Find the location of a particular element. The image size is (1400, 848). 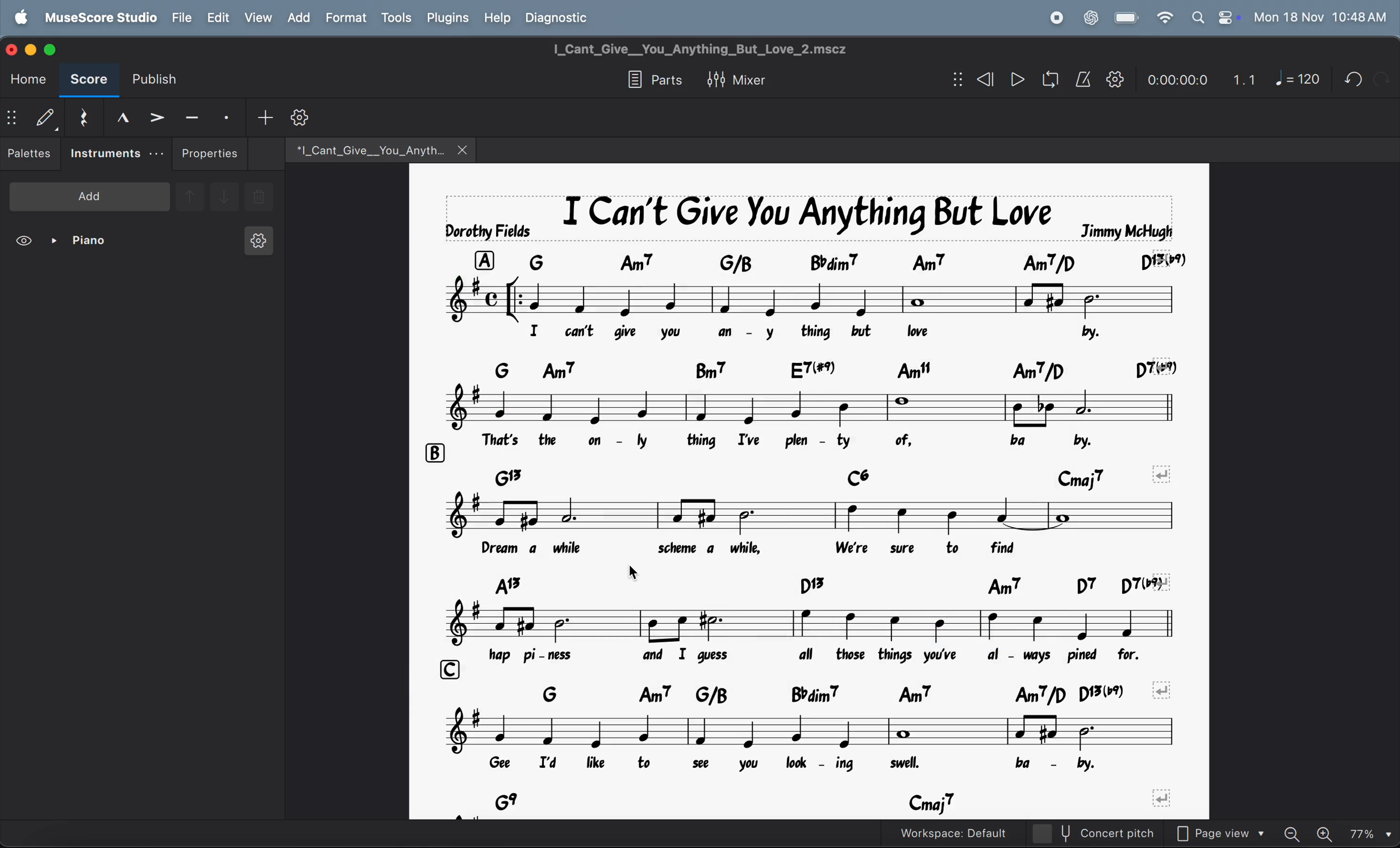

loop playback is located at coordinates (1034, 81).